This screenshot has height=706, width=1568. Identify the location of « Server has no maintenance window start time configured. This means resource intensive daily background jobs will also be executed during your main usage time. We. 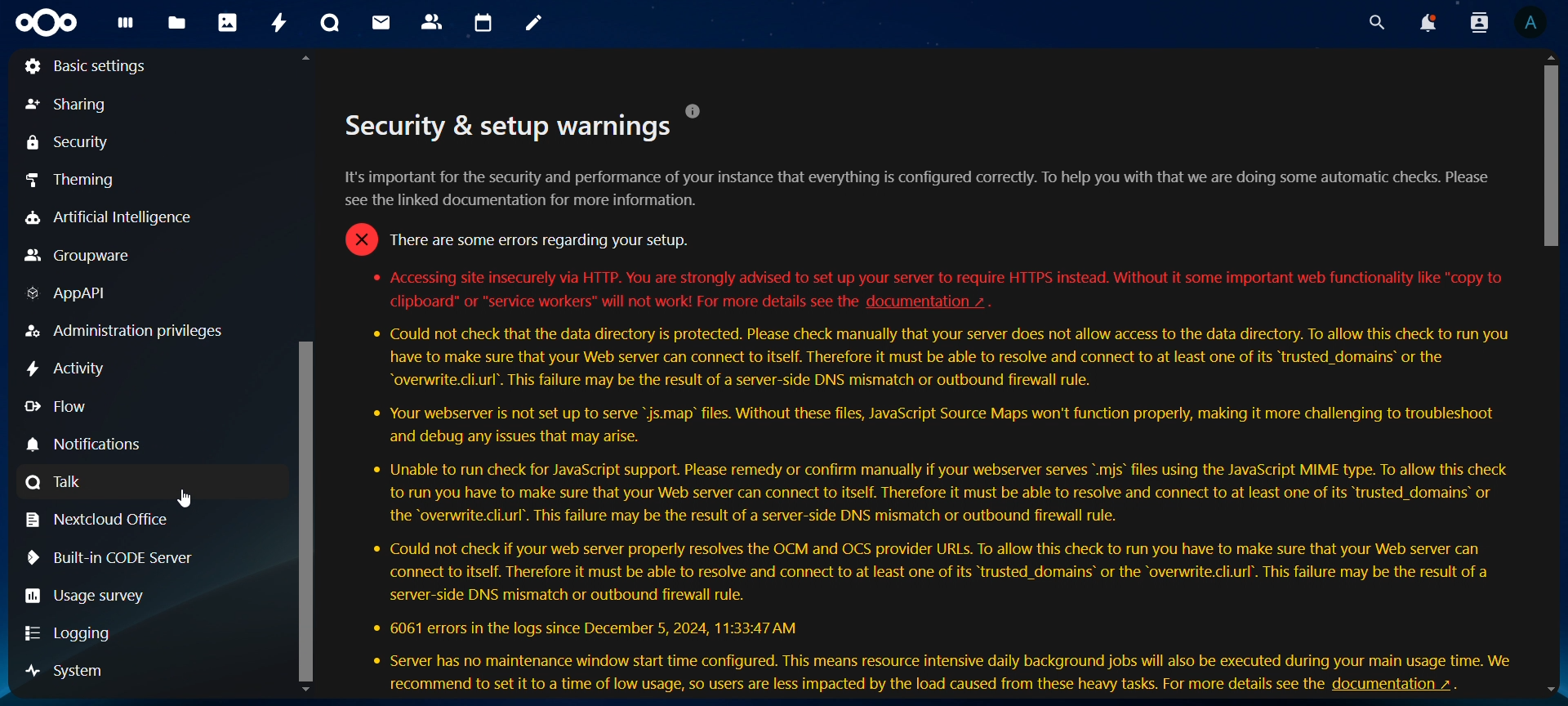
(951, 659).